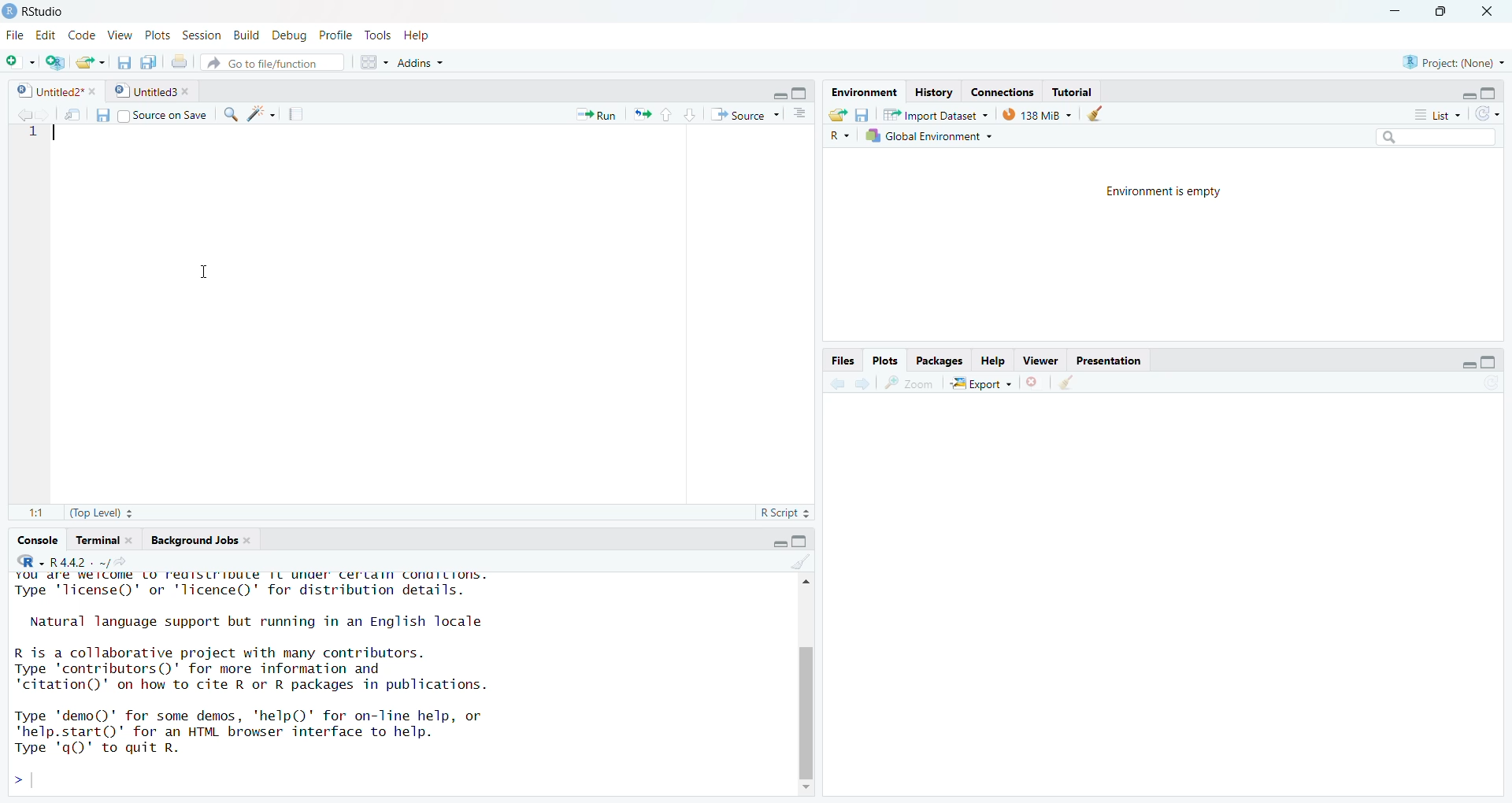 The width and height of the screenshot is (1512, 803). I want to click on Help, so click(429, 35).